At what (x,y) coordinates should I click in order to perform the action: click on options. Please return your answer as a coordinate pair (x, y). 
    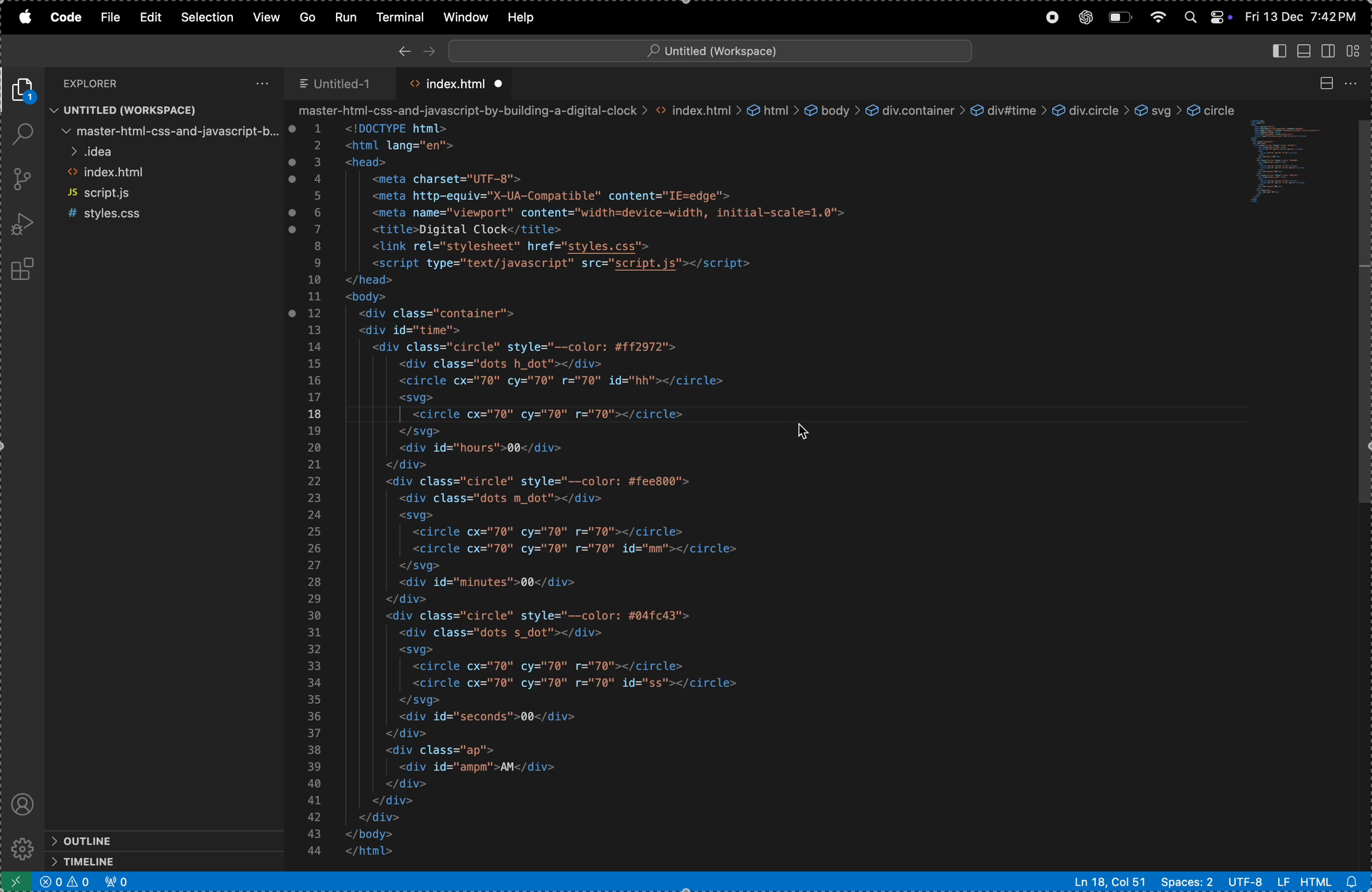
    Looking at the image, I should click on (259, 82).